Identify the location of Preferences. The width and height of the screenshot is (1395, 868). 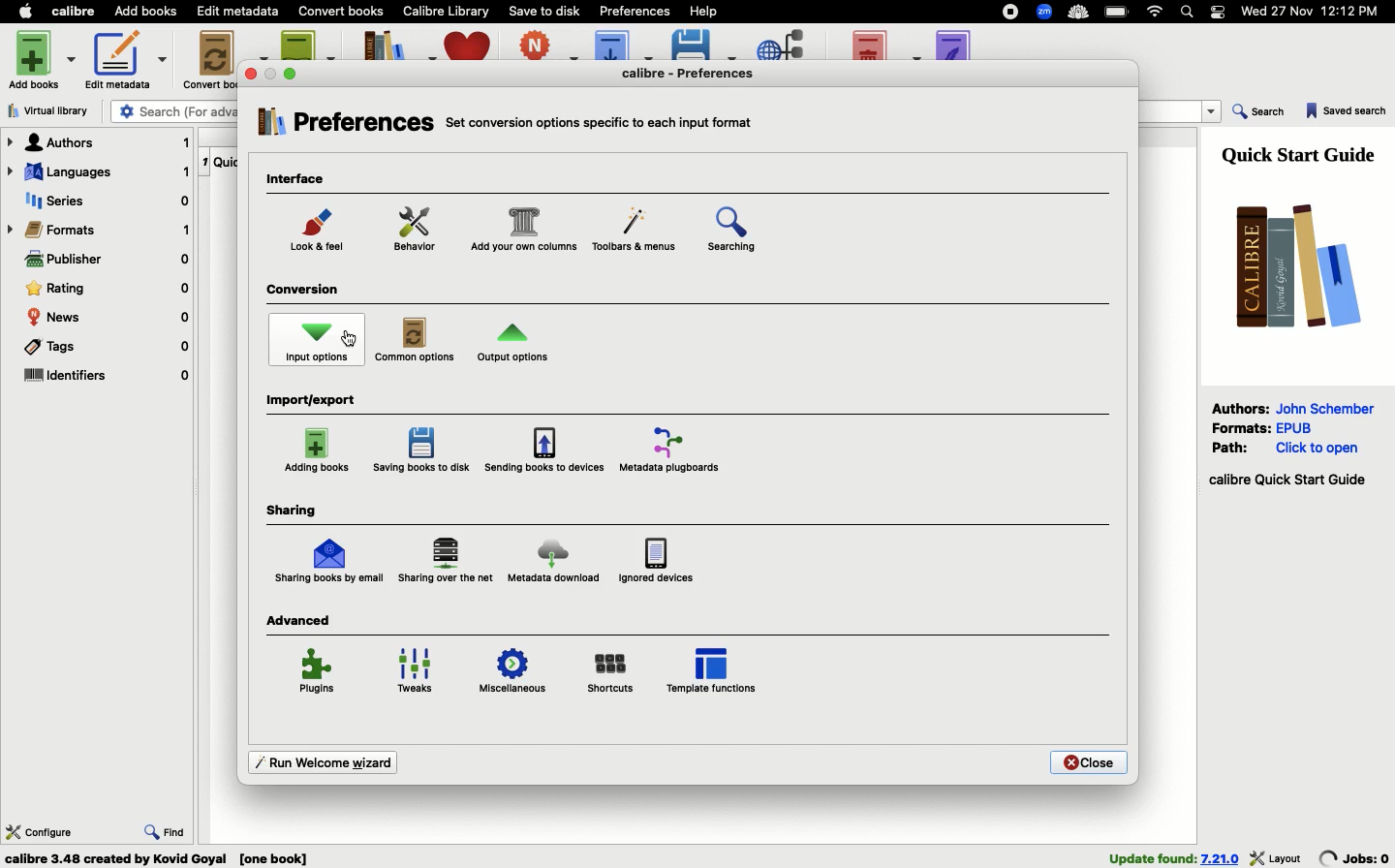
(344, 126).